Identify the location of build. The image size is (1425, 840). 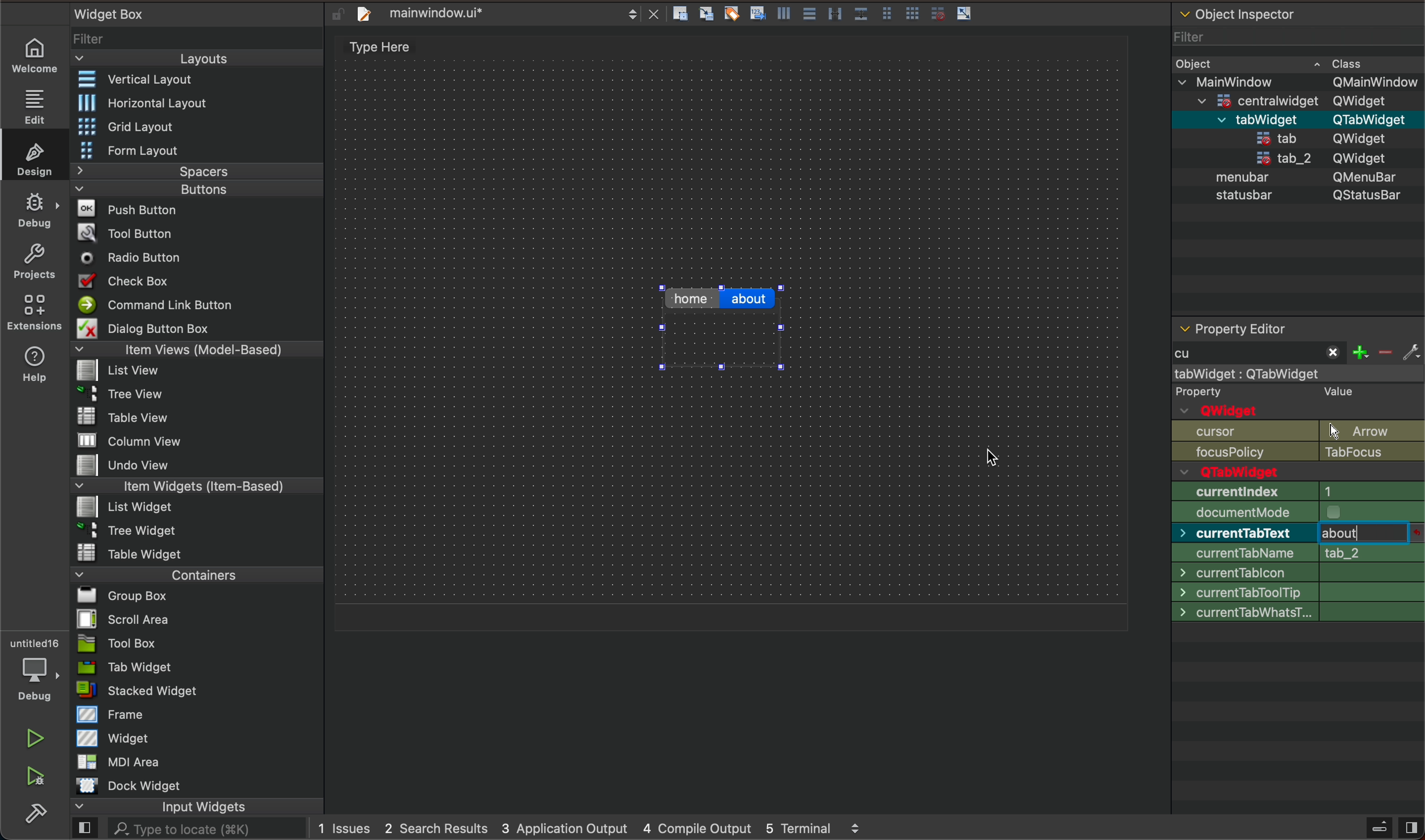
(41, 816).